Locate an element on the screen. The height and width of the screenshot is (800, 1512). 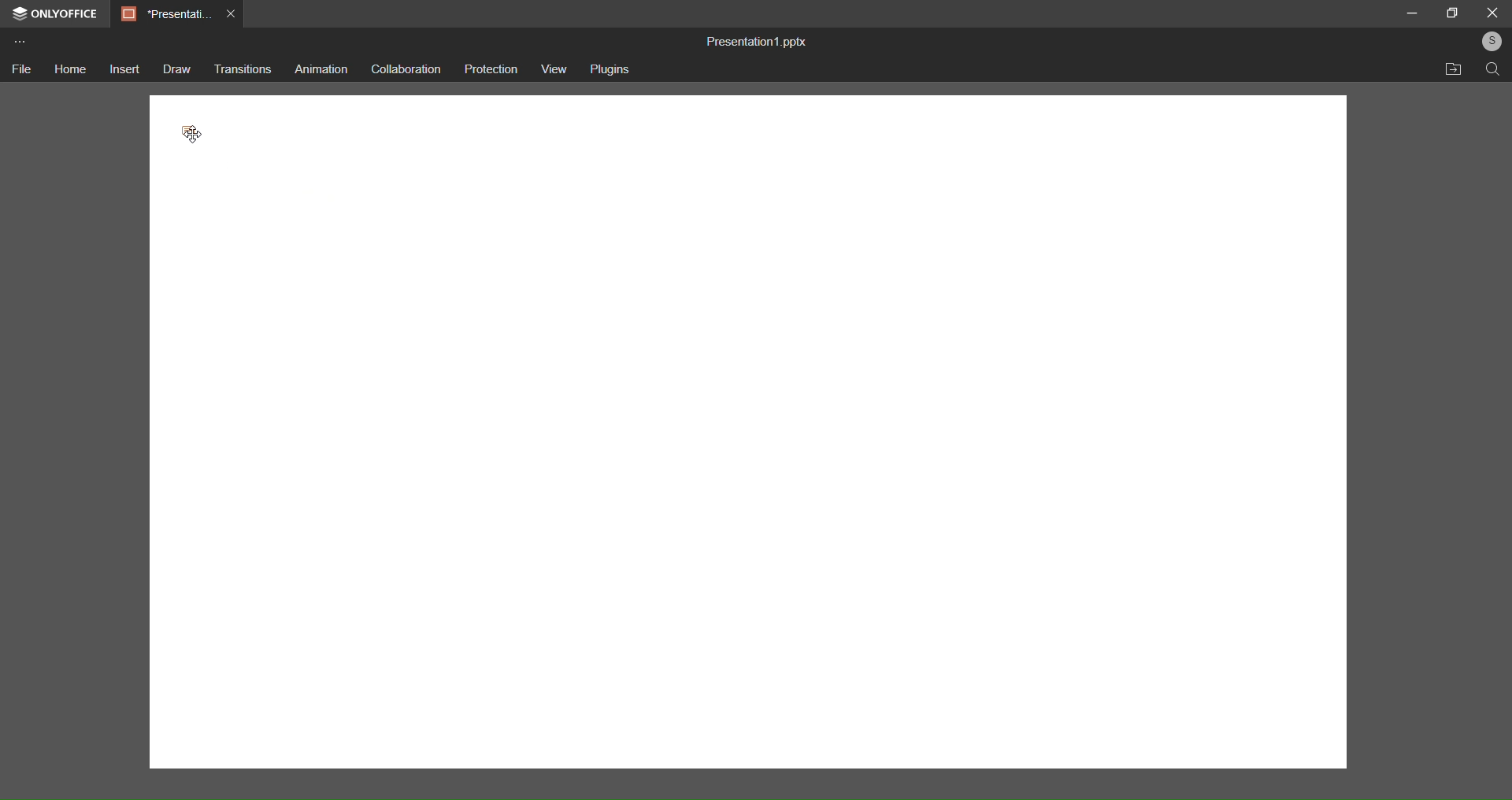
Presentation1.pptx is located at coordinates (764, 40).